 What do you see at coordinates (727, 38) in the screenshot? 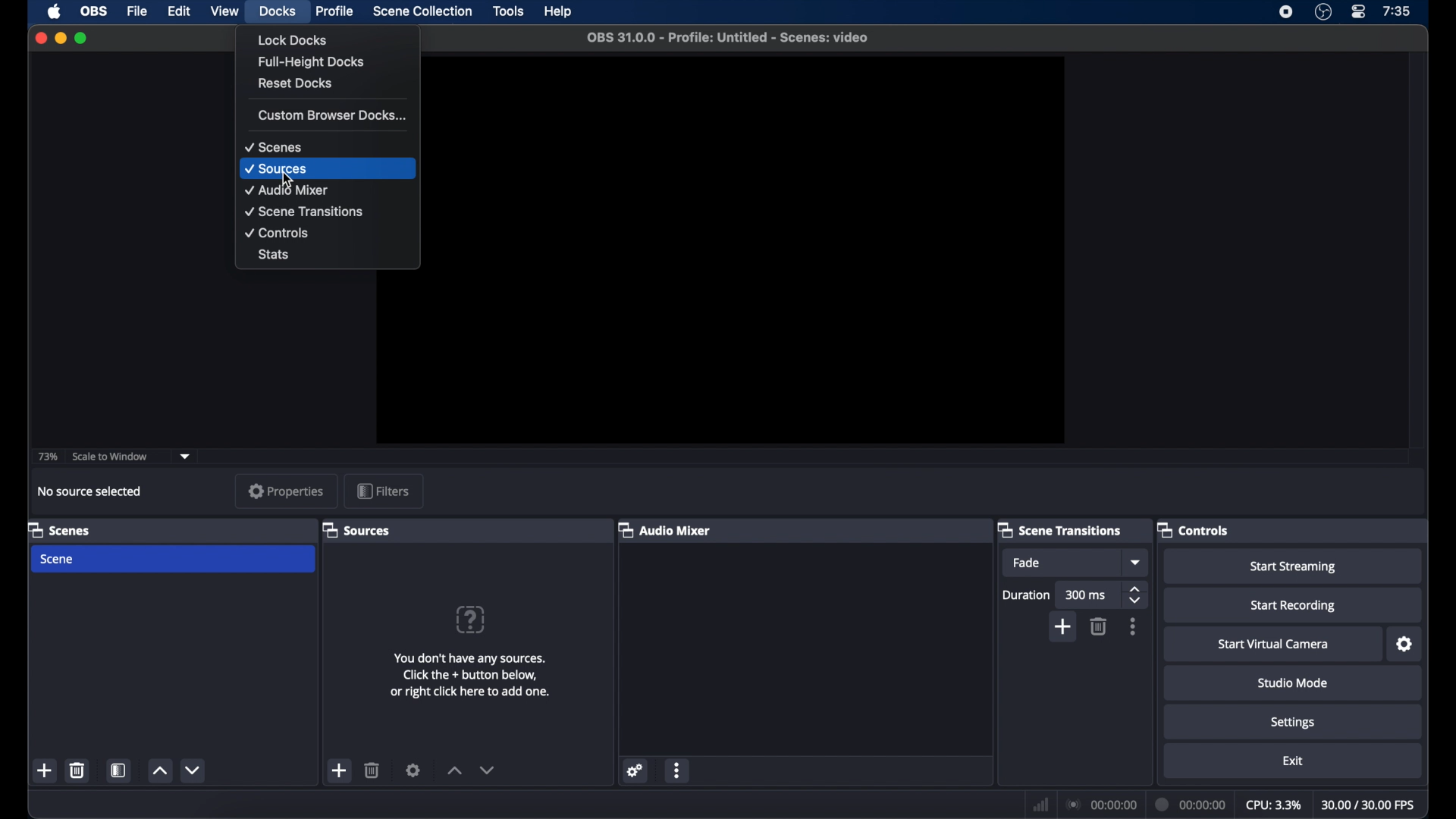
I see `filename` at bounding box center [727, 38].